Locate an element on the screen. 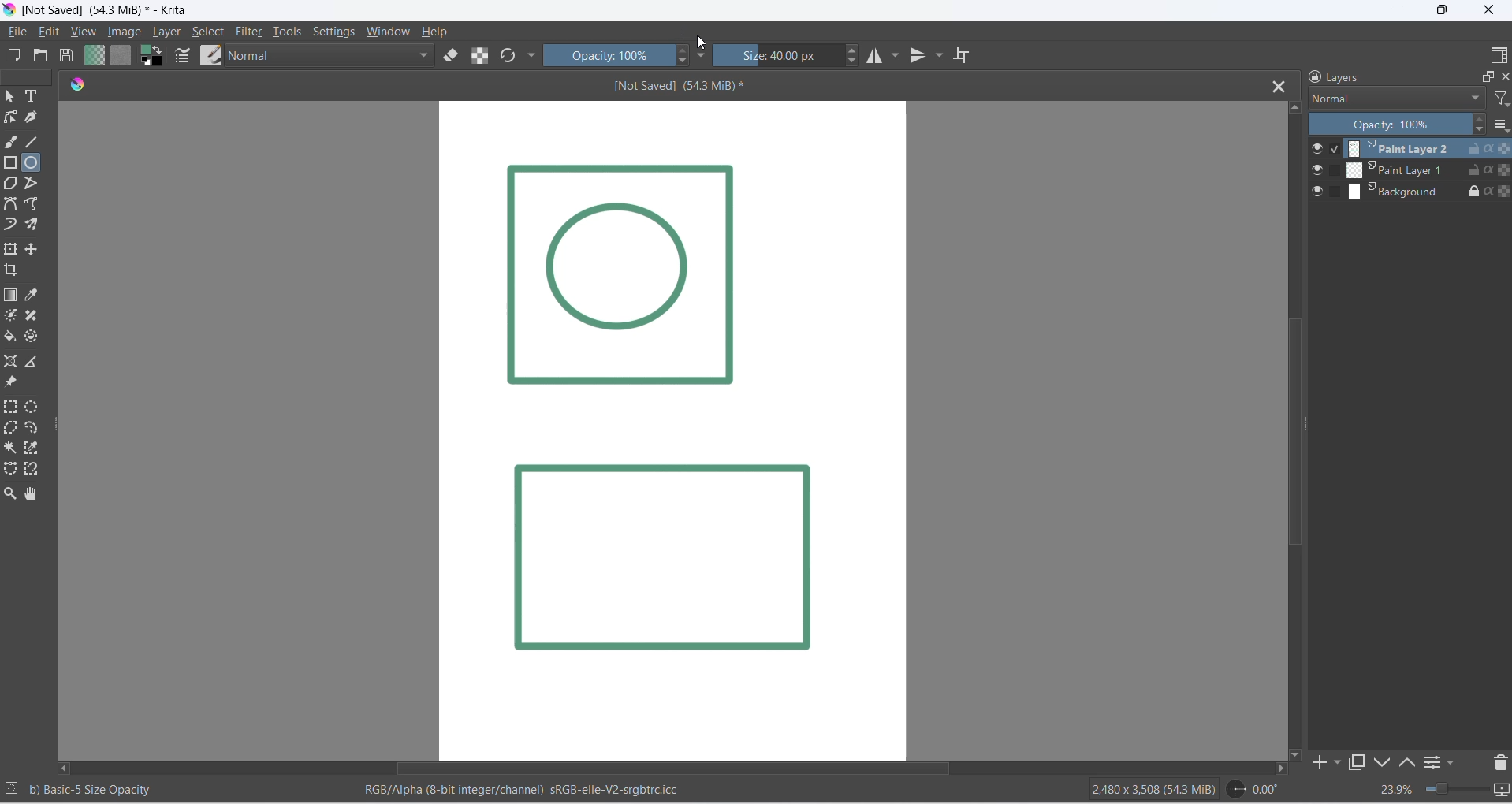  edit shapes tool is located at coordinates (10, 120).